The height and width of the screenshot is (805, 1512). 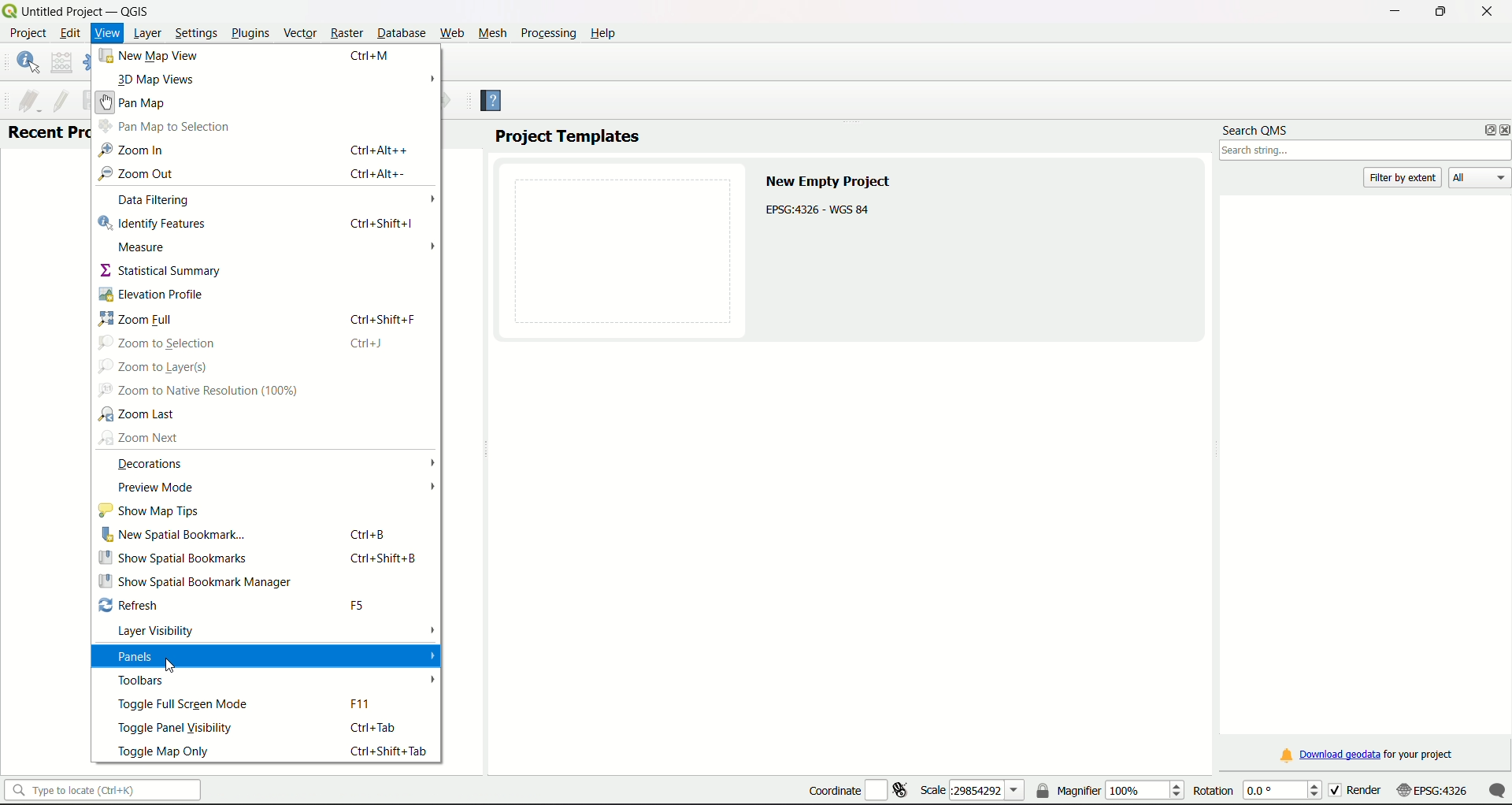 What do you see at coordinates (380, 150) in the screenshot?
I see `Ctrl+Alt++` at bounding box center [380, 150].